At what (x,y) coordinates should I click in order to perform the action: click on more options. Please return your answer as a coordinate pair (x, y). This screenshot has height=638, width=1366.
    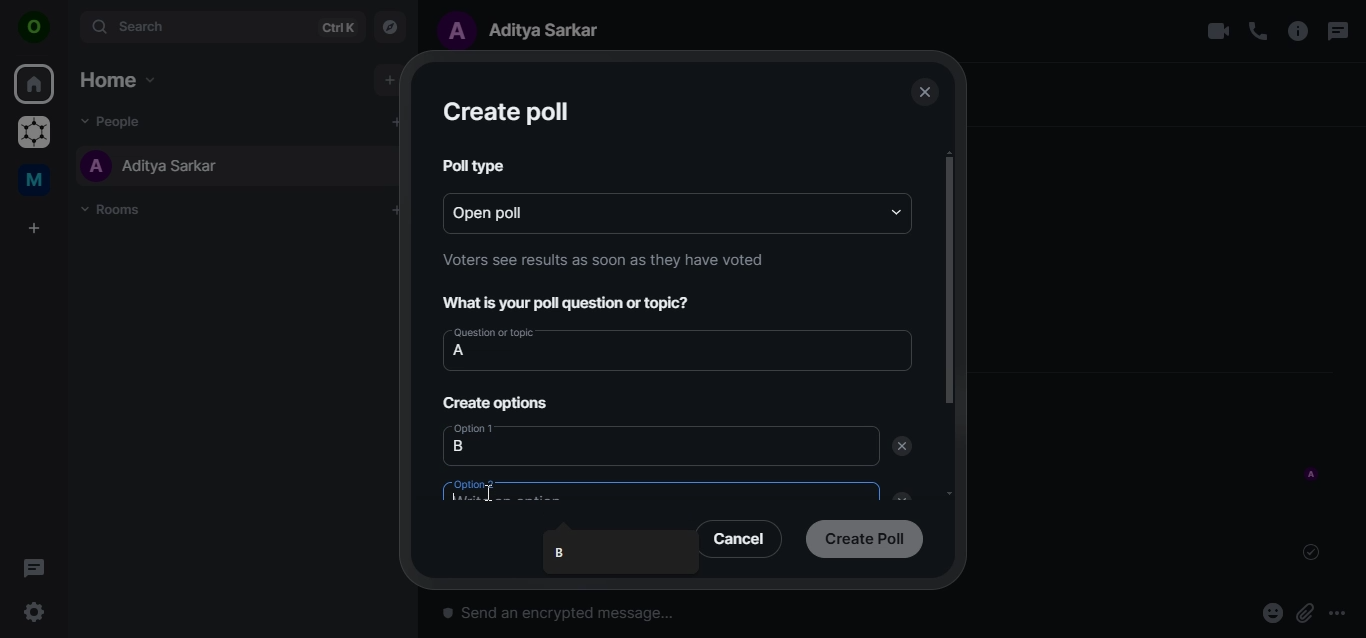
    Looking at the image, I should click on (1344, 613).